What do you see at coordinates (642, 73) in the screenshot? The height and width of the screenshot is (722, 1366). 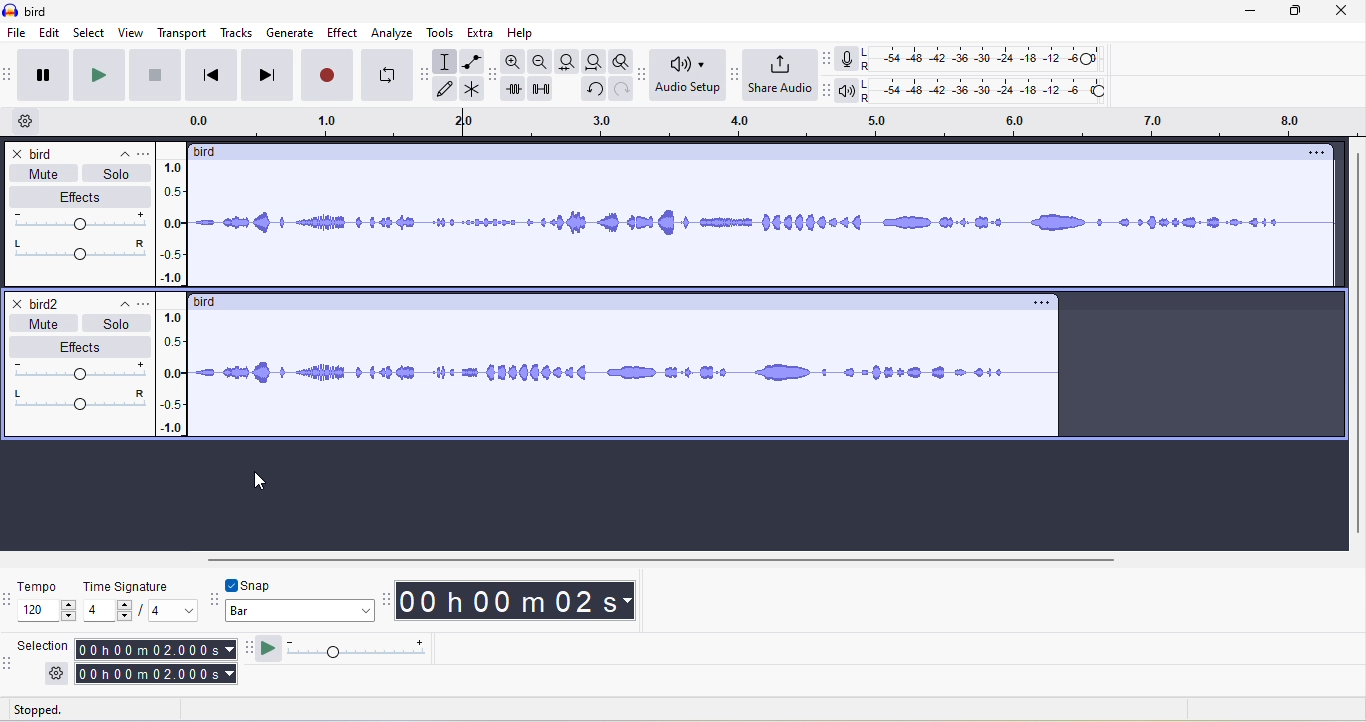 I see `audacity audio setup toolbar` at bounding box center [642, 73].